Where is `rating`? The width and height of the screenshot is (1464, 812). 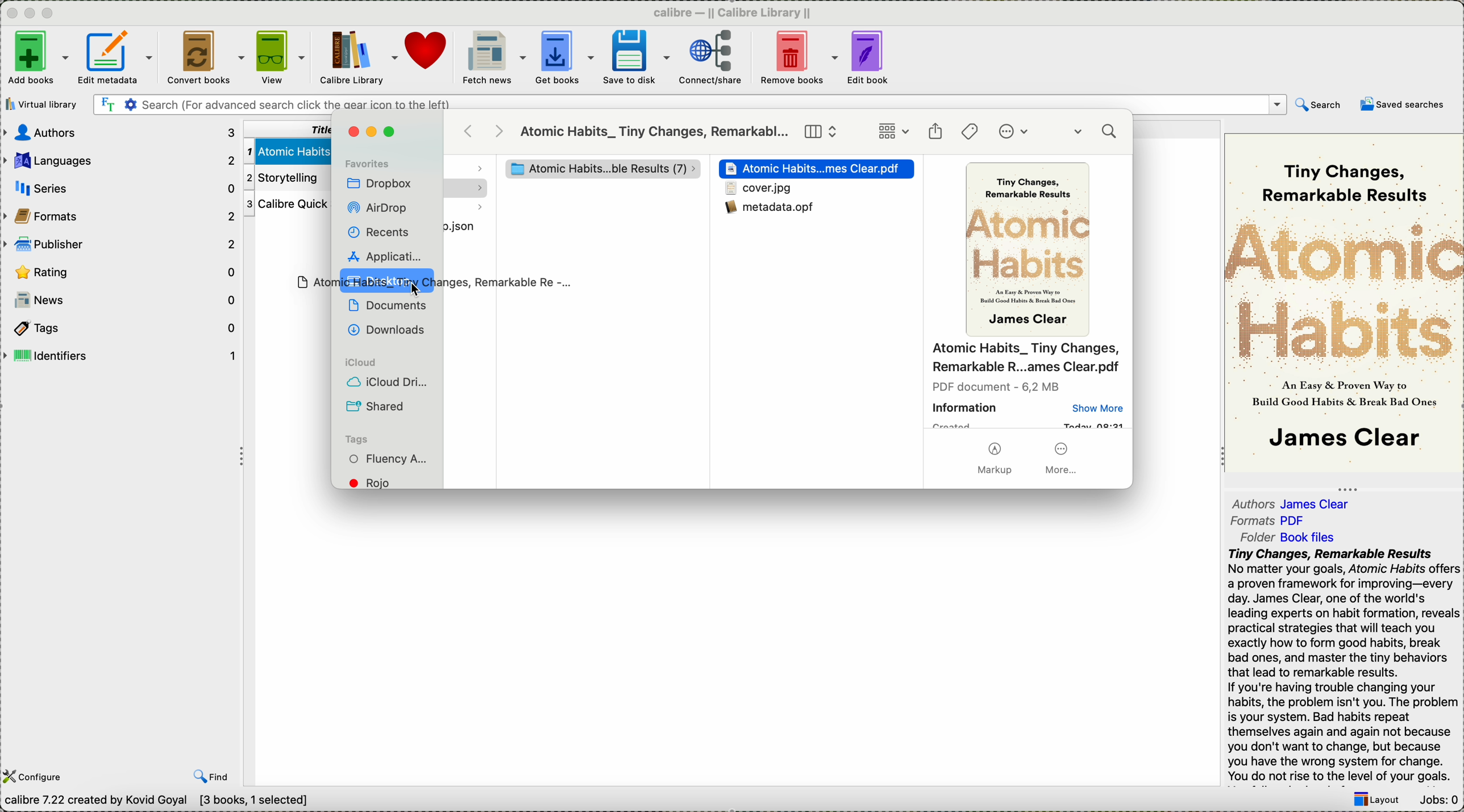
rating is located at coordinates (123, 272).